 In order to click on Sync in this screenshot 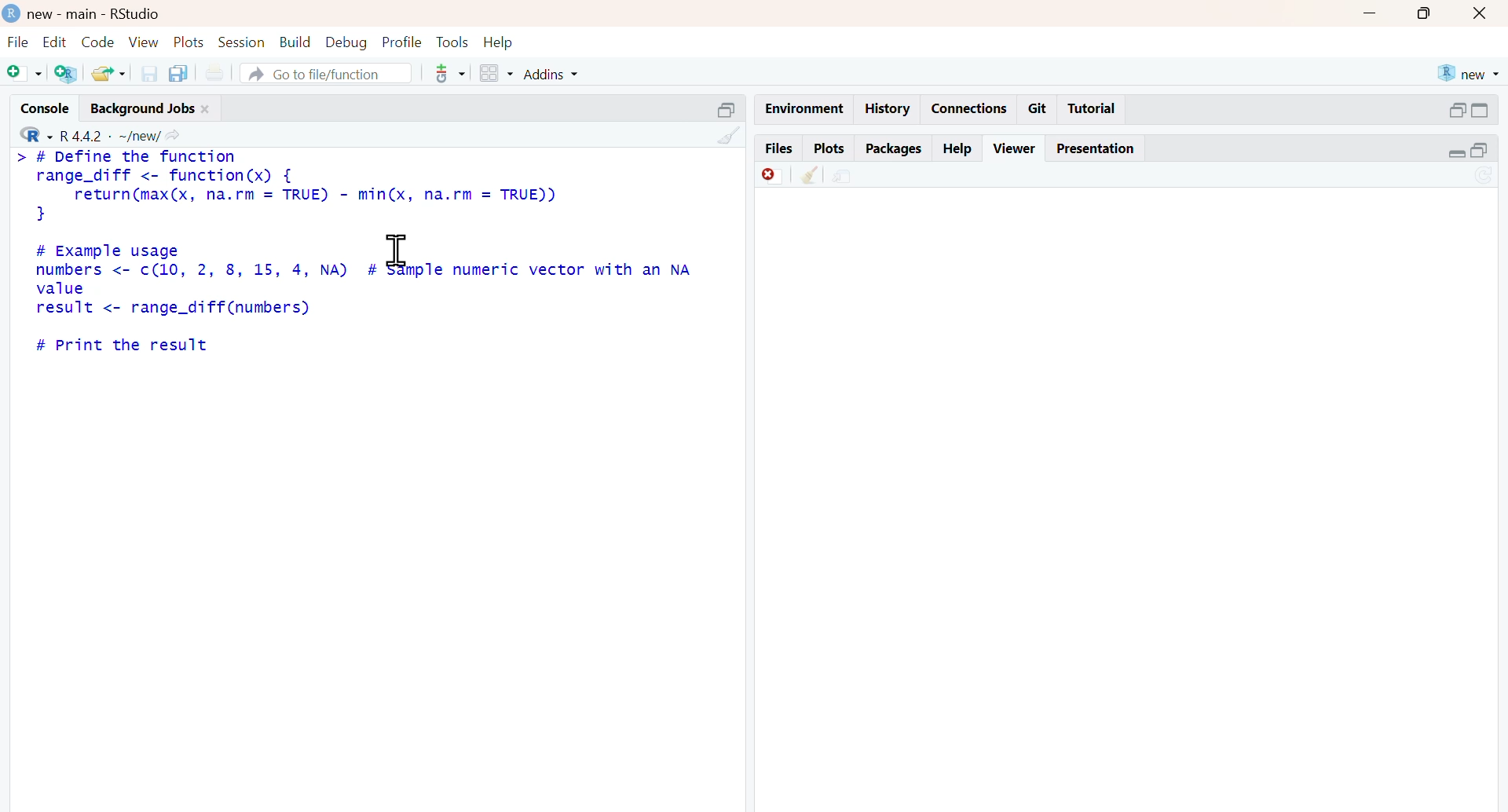, I will do `click(1484, 177)`.